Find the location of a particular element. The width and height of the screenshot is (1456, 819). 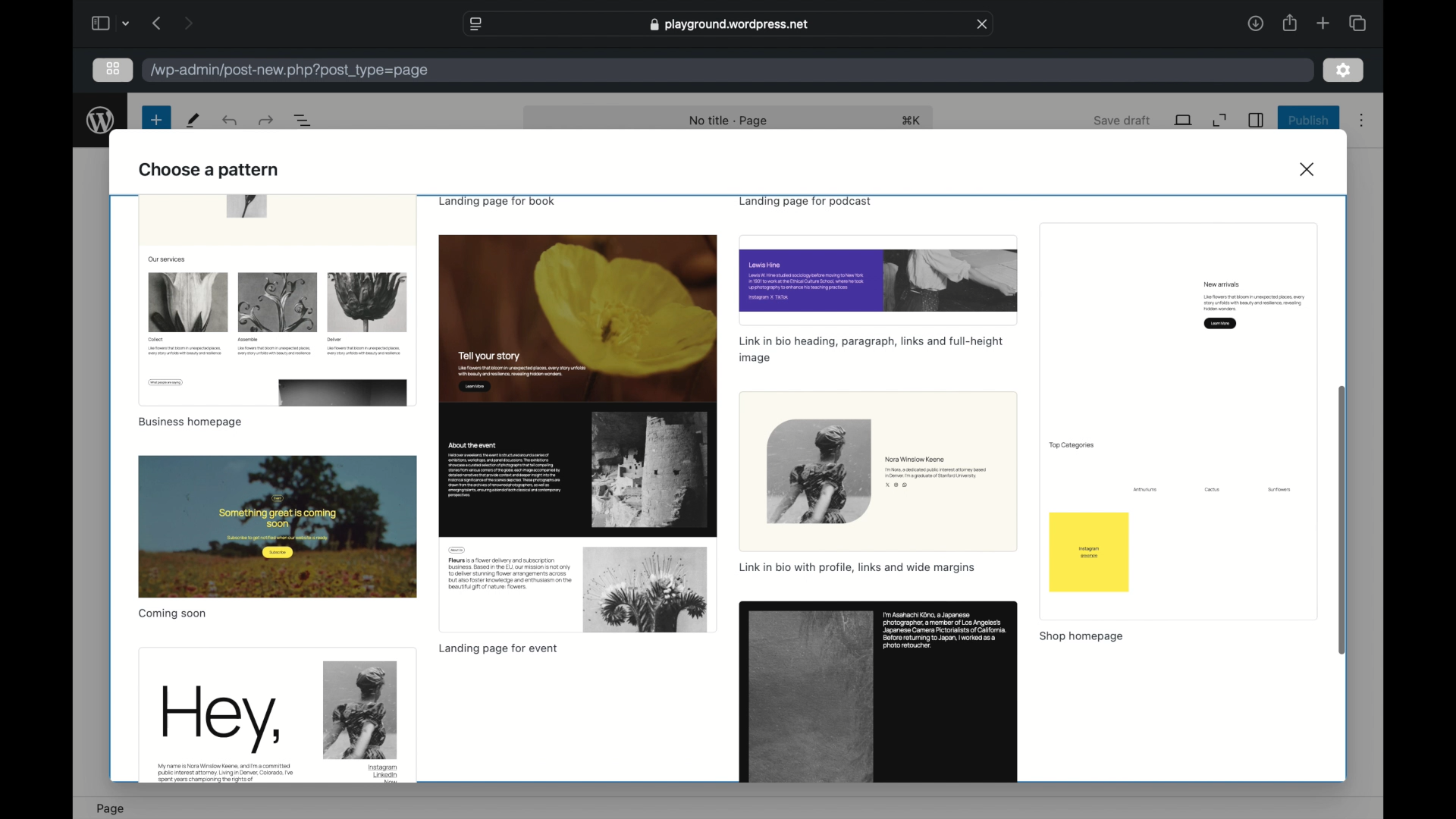

shortcut is located at coordinates (912, 121).